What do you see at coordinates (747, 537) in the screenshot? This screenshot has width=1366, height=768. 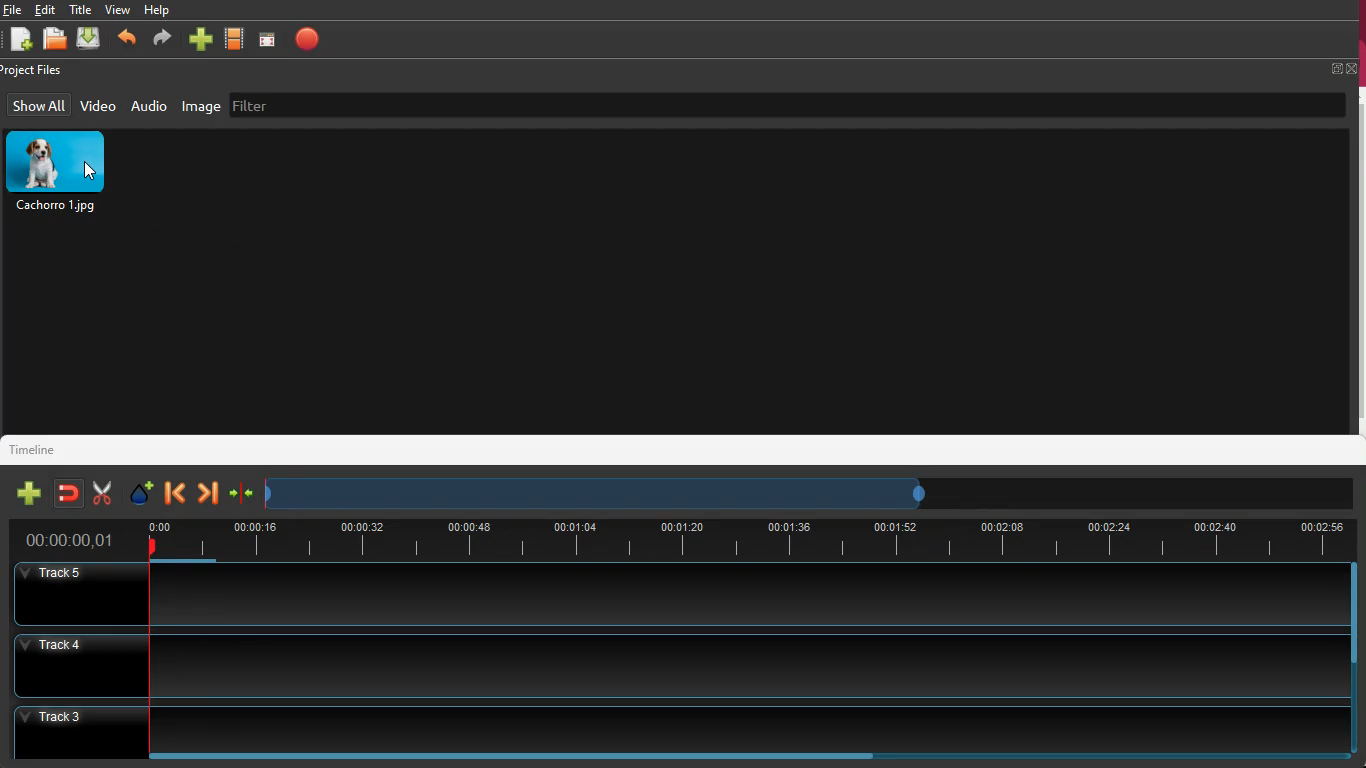 I see `time` at bounding box center [747, 537].